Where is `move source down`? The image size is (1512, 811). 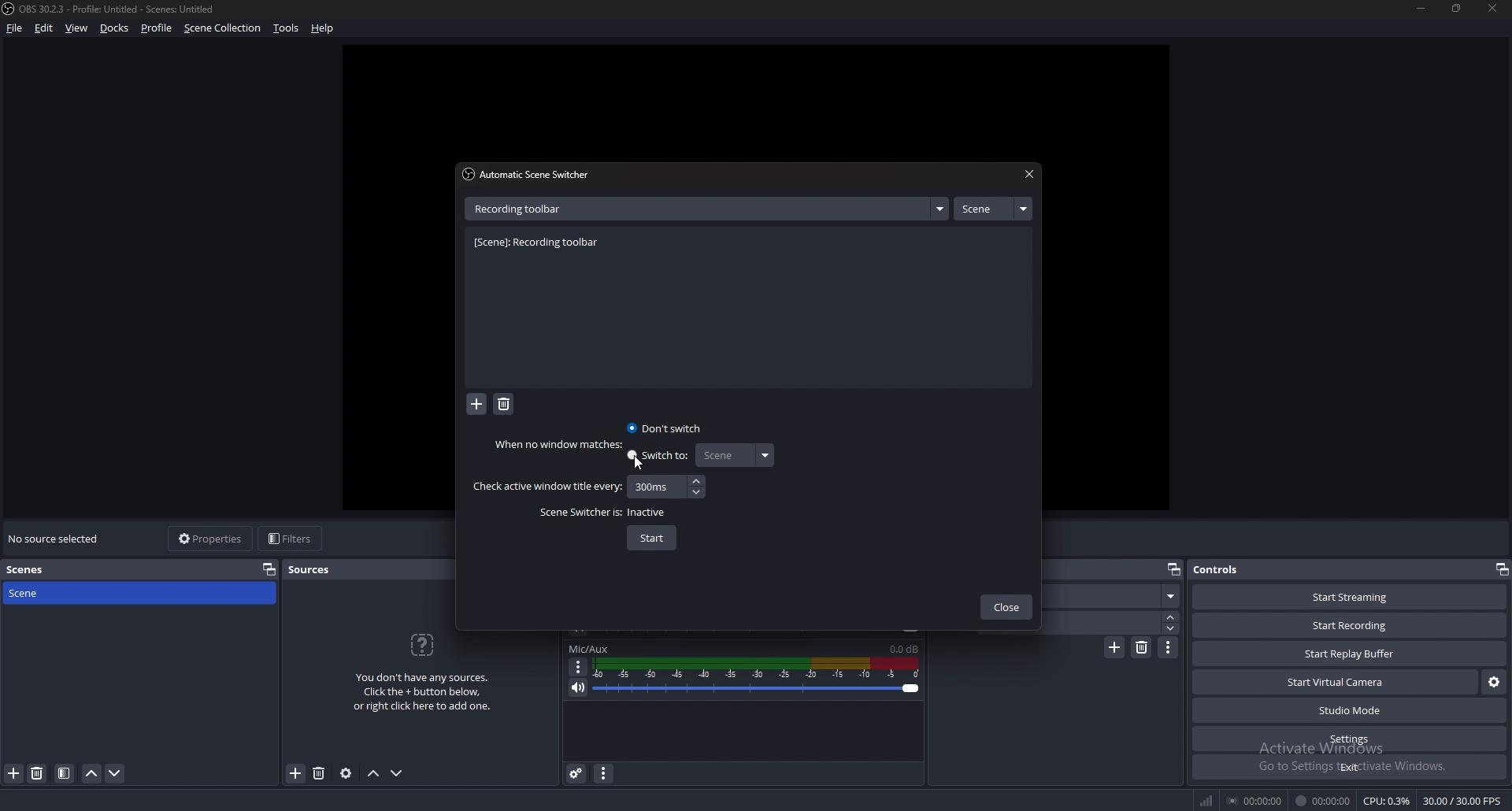
move source down is located at coordinates (397, 774).